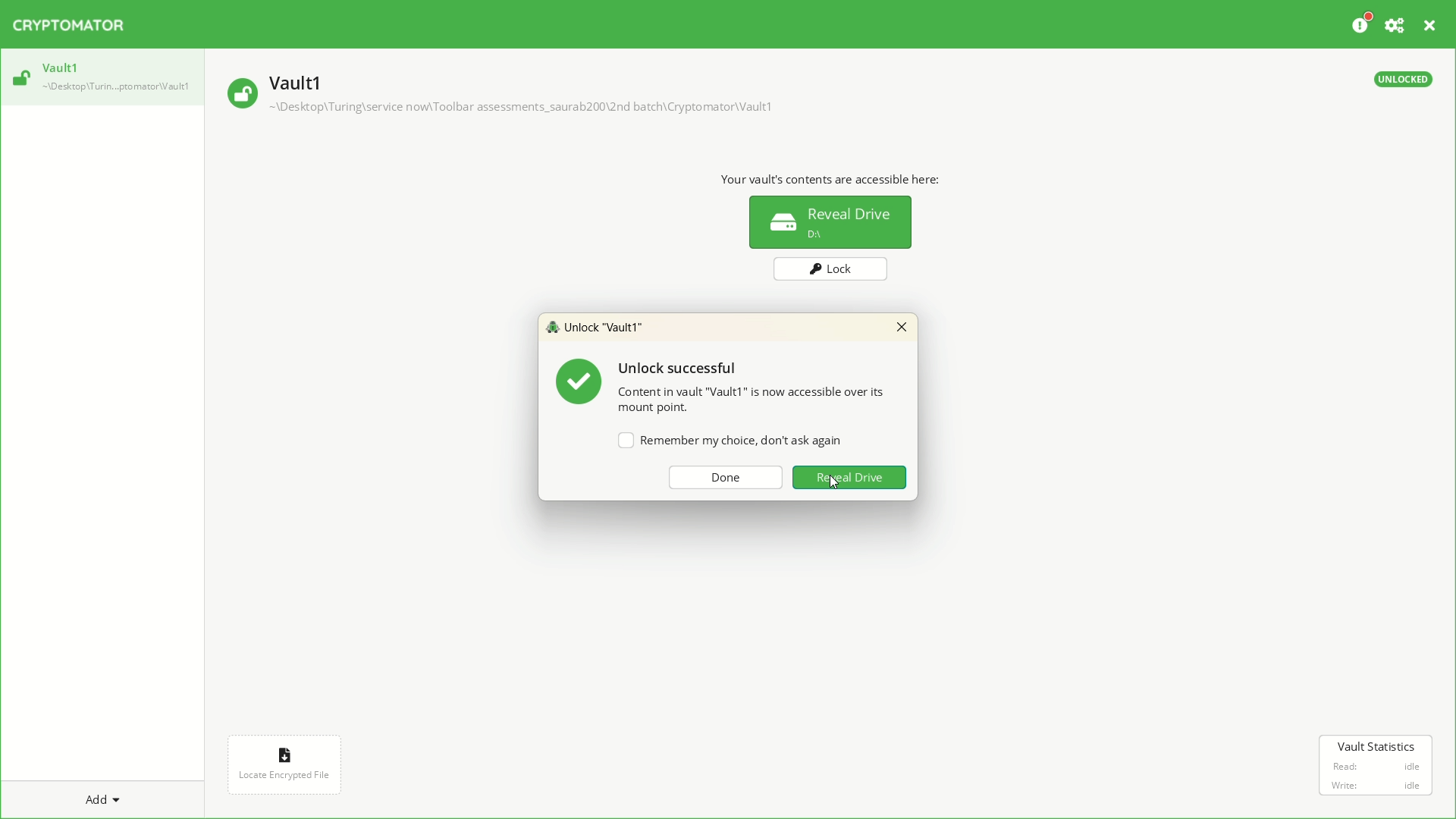 This screenshot has width=1456, height=819. What do you see at coordinates (239, 93) in the screenshot?
I see `unlocked` at bounding box center [239, 93].